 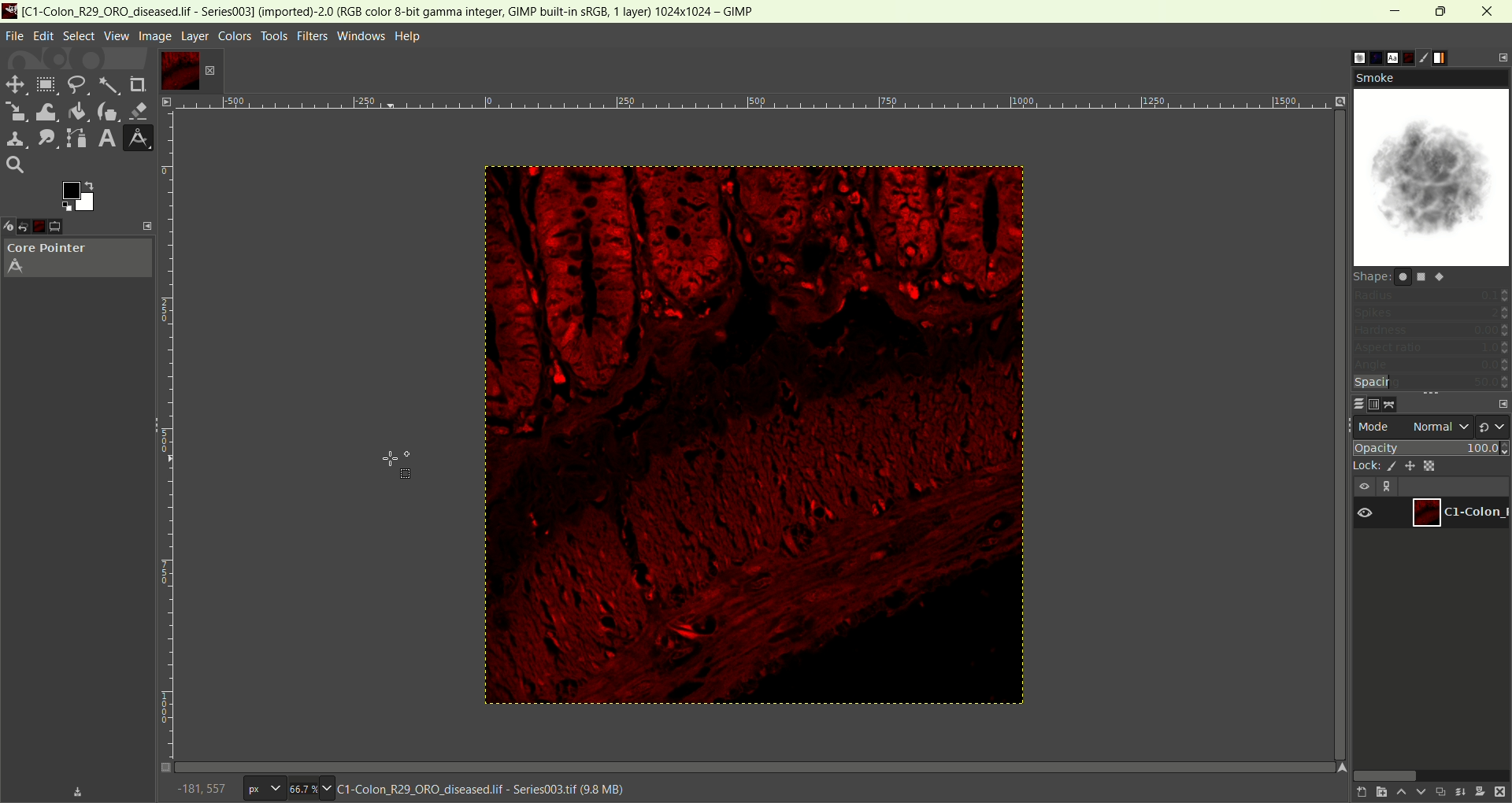 I want to click on horizontal scroll bar, so click(x=1429, y=774).